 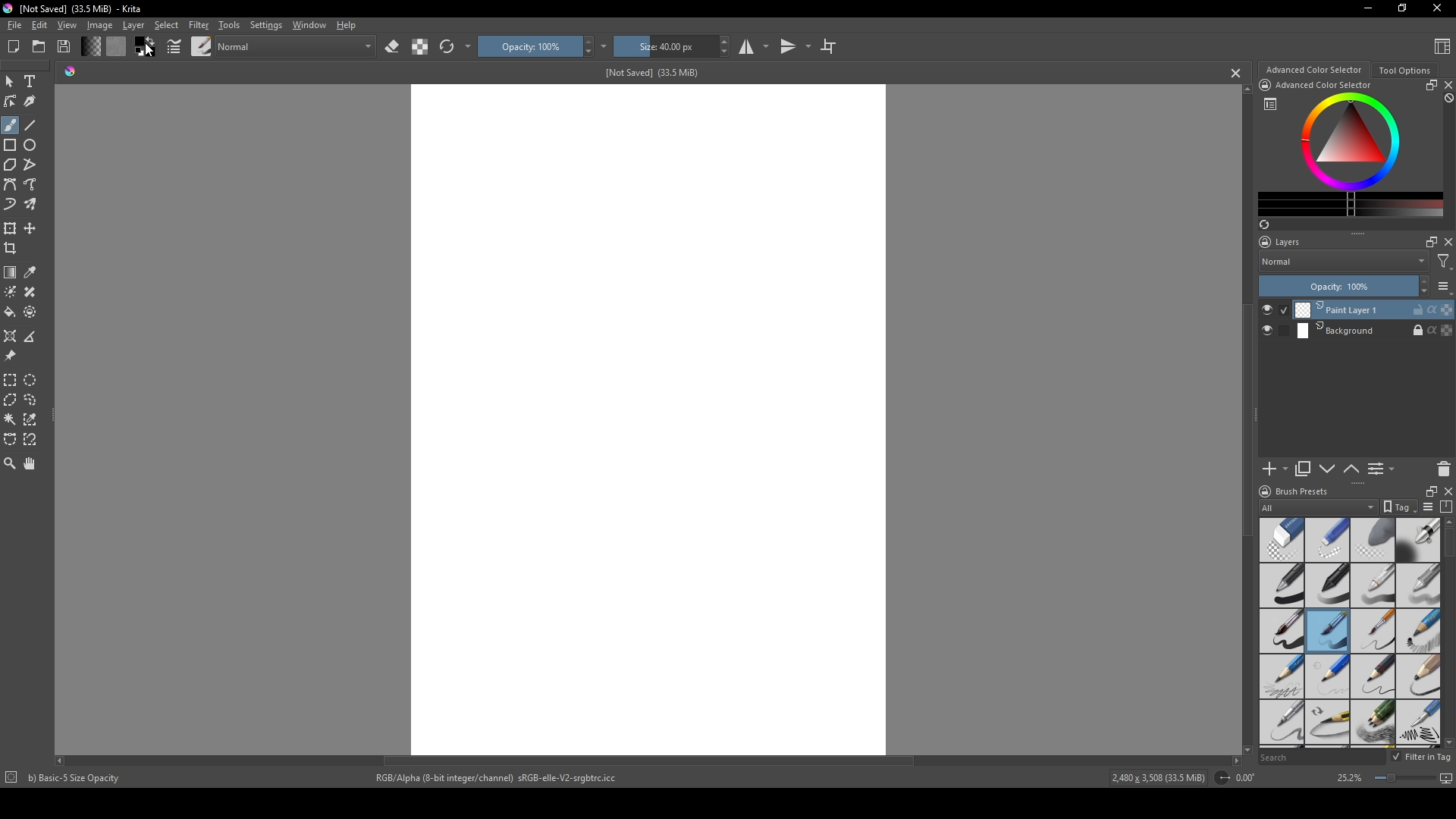 I want to click on rectangular, so click(x=11, y=379).